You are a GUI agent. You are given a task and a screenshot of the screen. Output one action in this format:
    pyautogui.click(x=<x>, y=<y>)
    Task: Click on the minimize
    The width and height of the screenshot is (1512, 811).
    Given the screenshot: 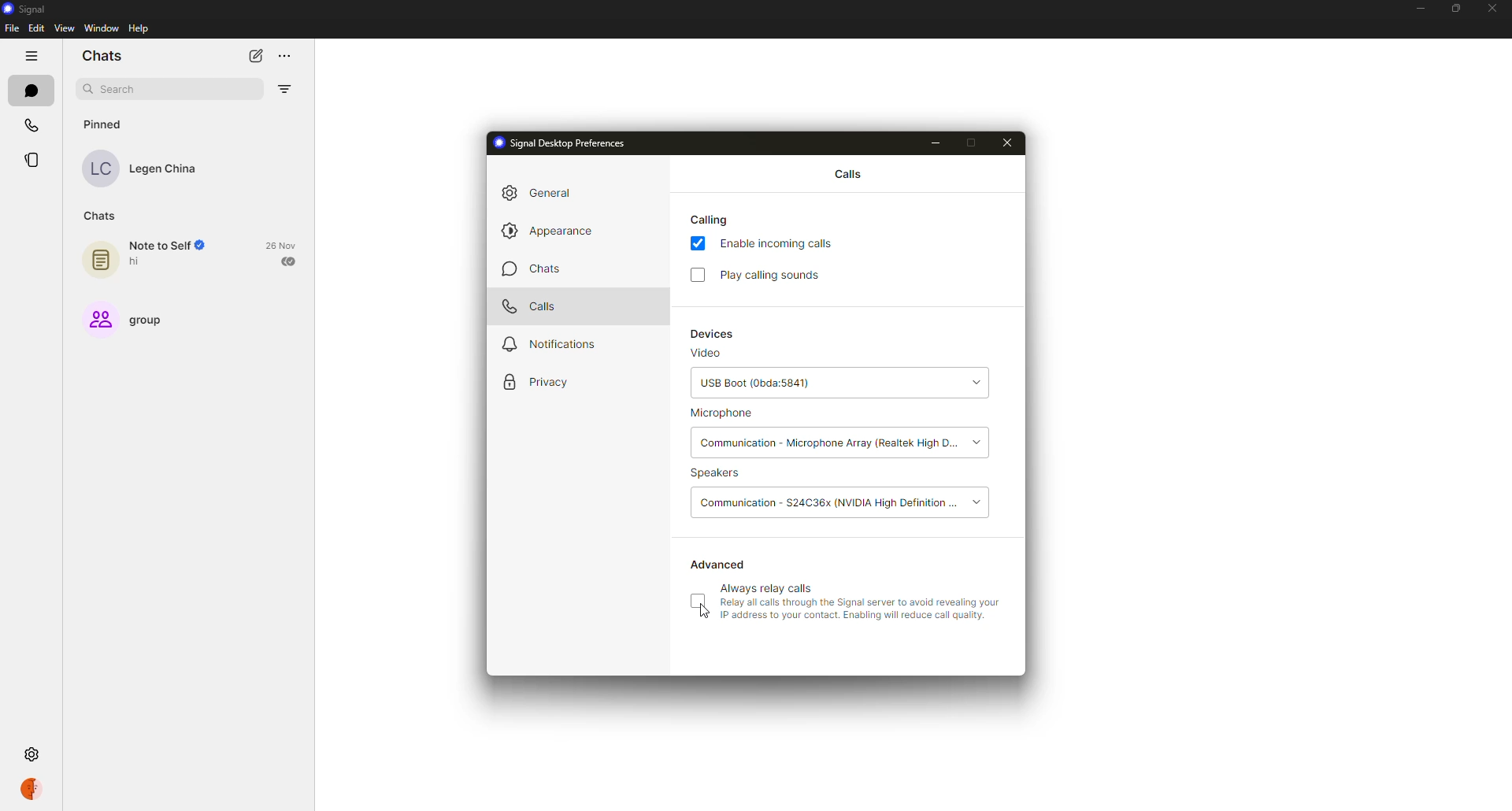 What is the action you would take?
    pyautogui.click(x=1420, y=8)
    